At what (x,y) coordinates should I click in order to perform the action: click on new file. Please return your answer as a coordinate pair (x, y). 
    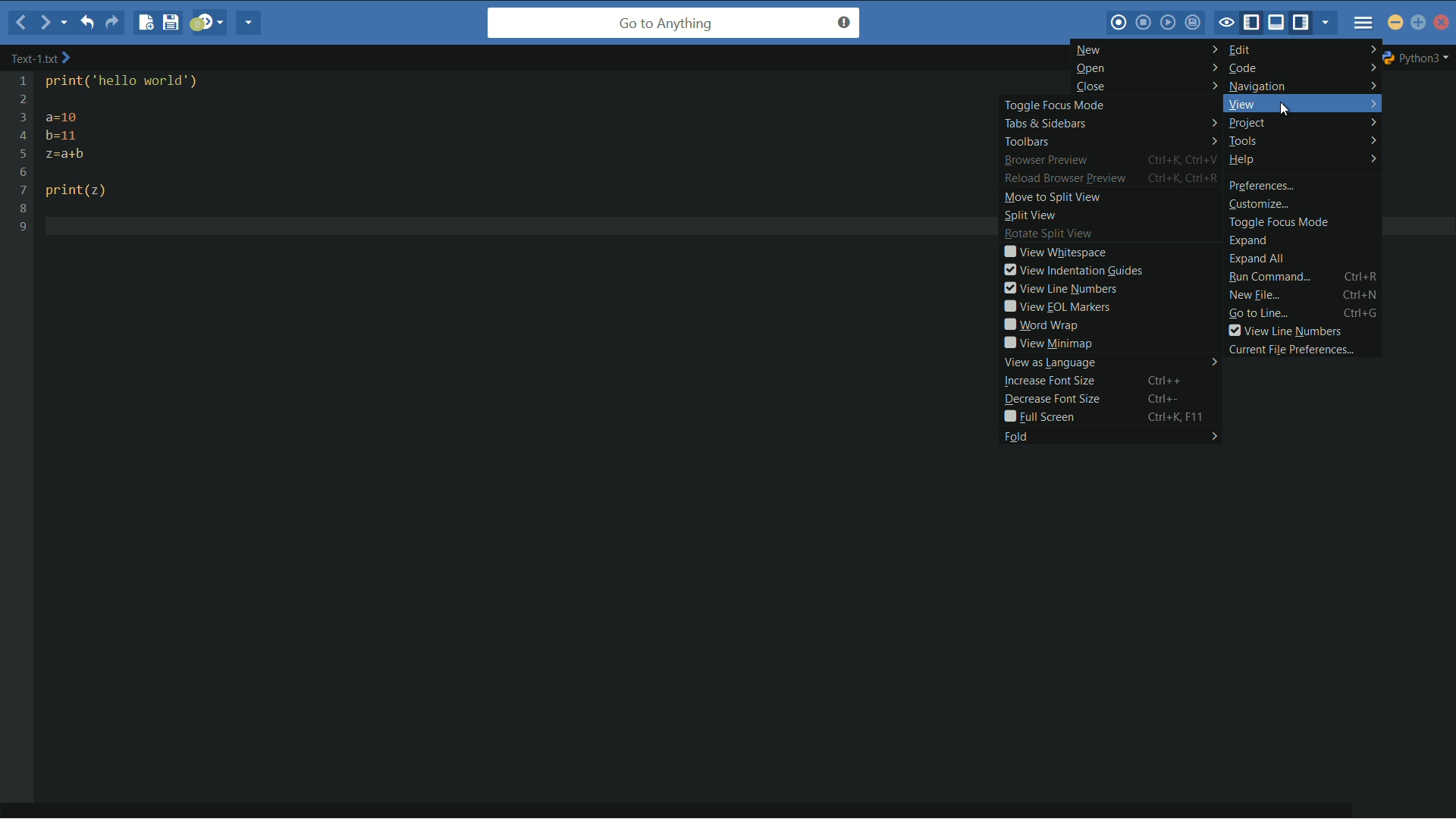
    Looking at the image, I should click on (143, 23).